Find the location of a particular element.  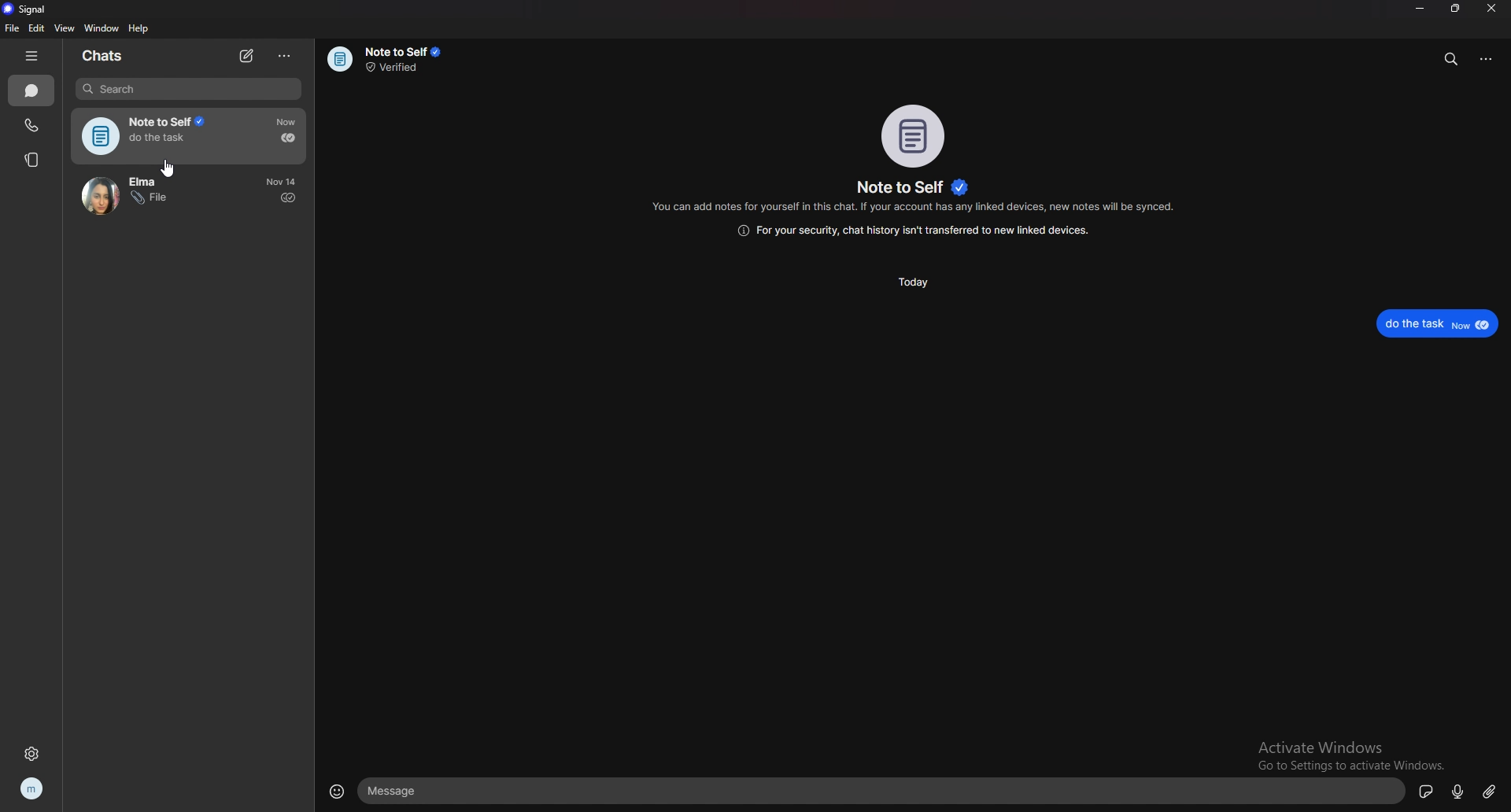

time is located at coordinates (282, 180).